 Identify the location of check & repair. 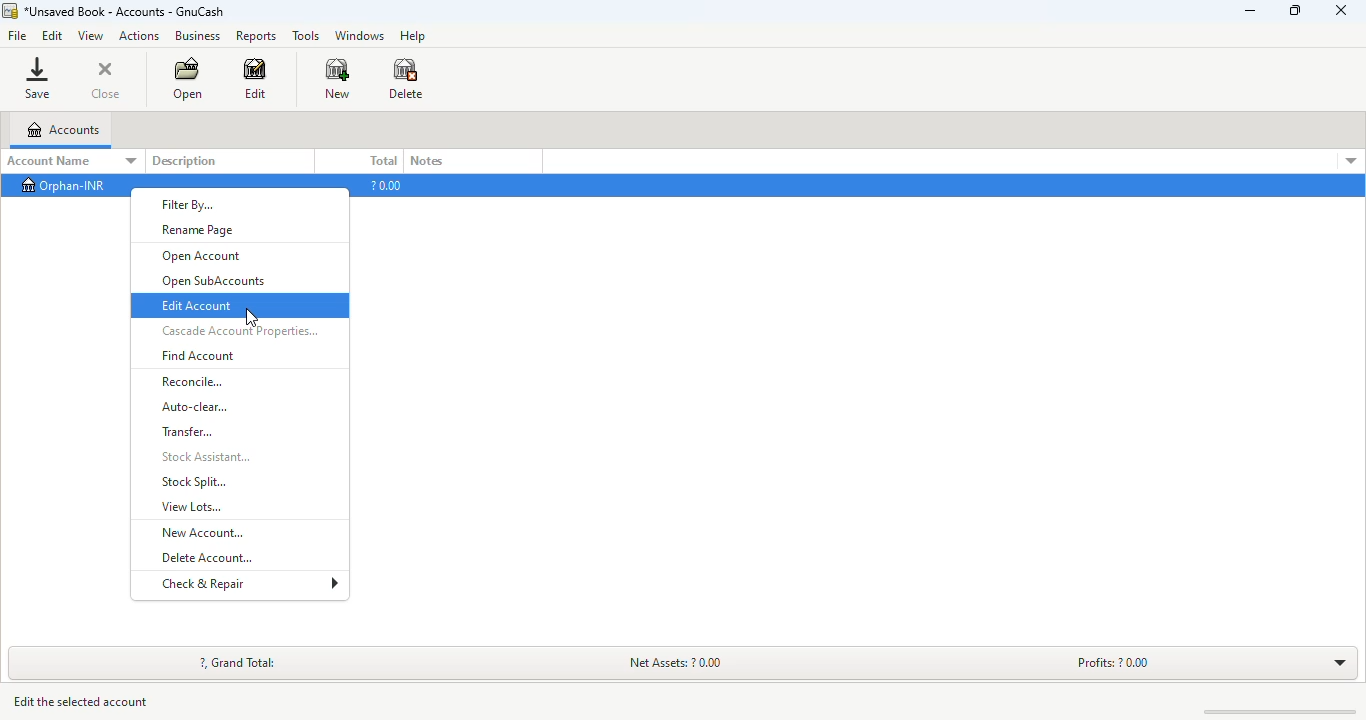
(250, 584).